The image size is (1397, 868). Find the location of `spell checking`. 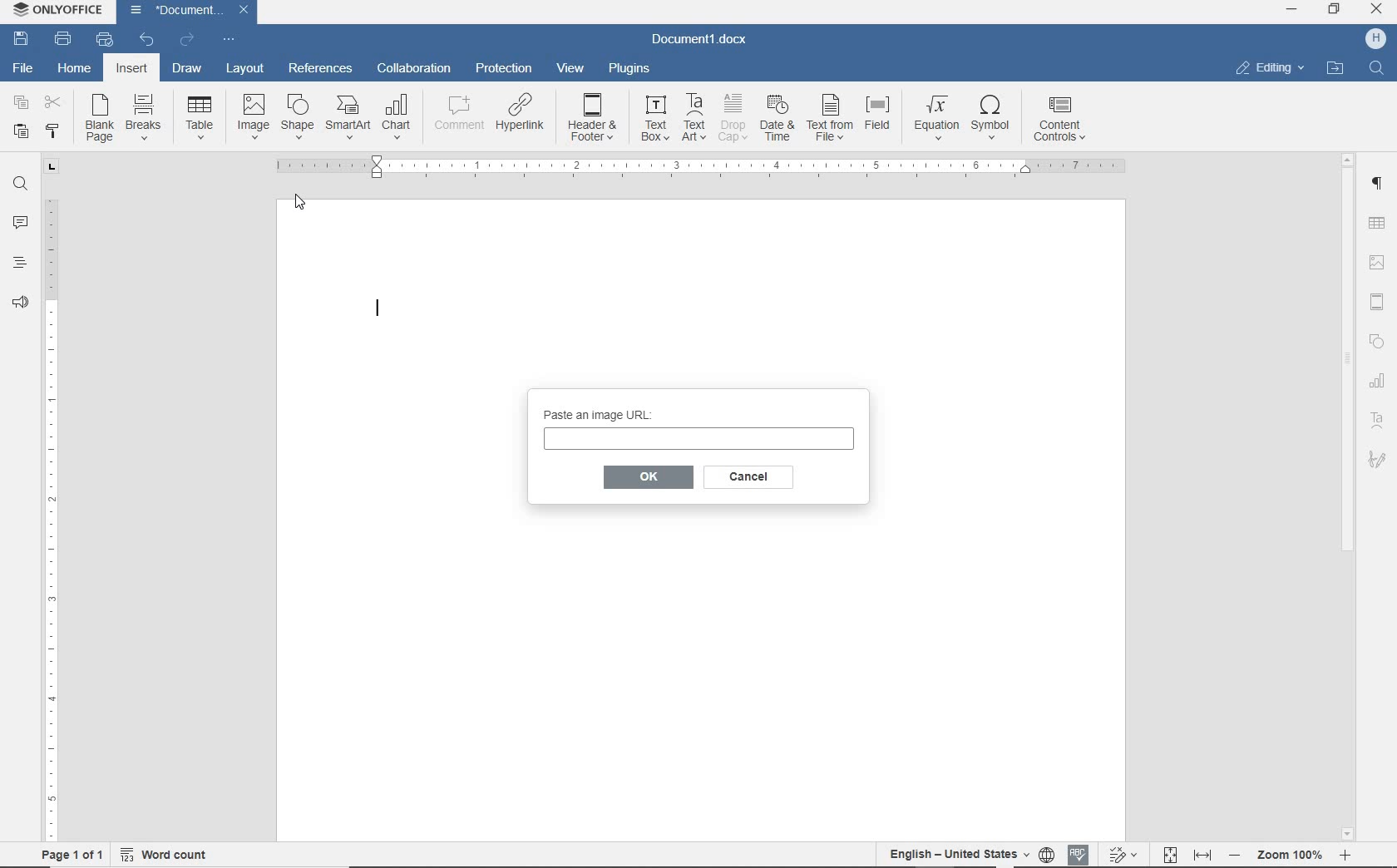

spell checking is located at coordinates (1077, 854).